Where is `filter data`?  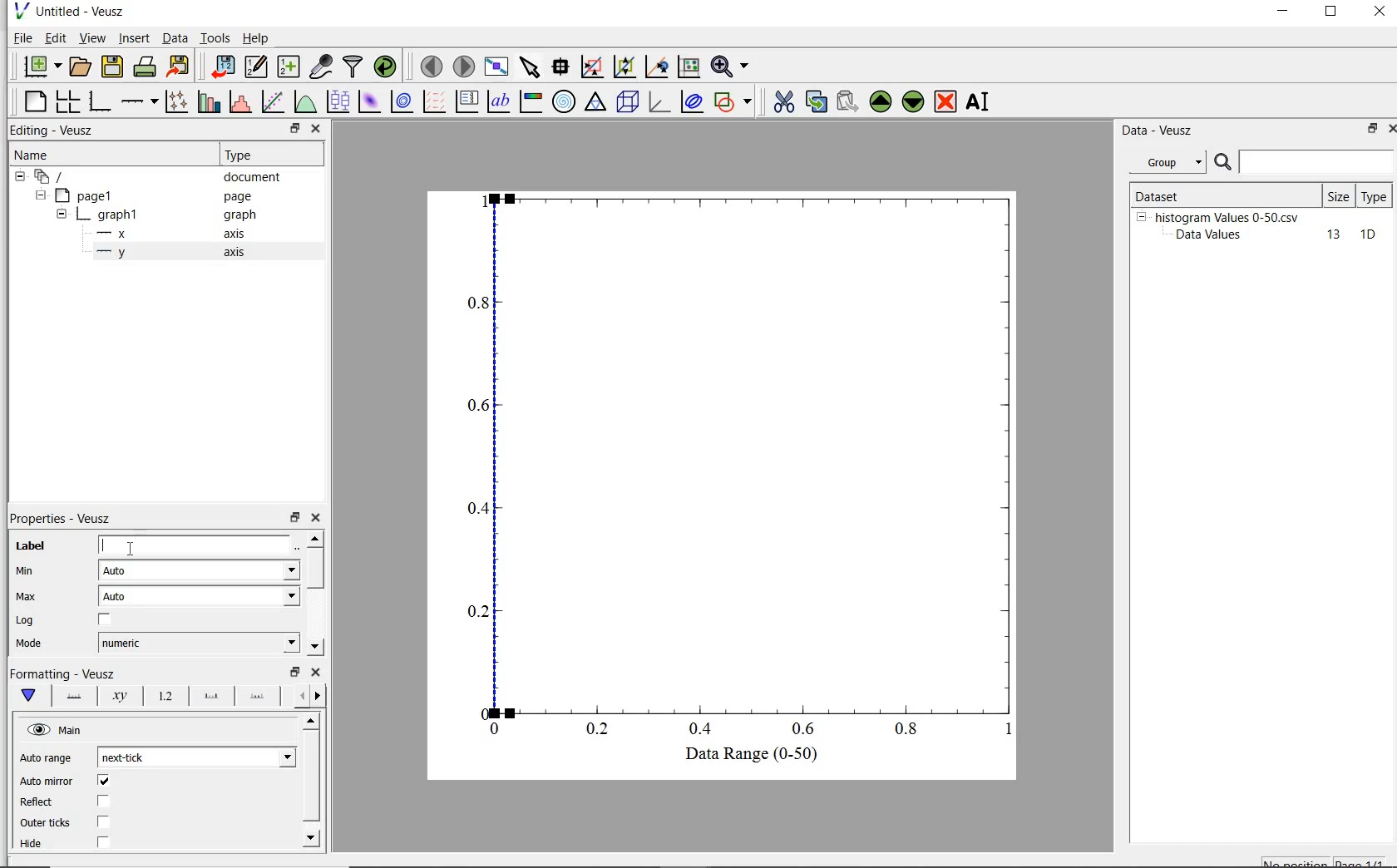 filter data is located at coordinates (353, 67).